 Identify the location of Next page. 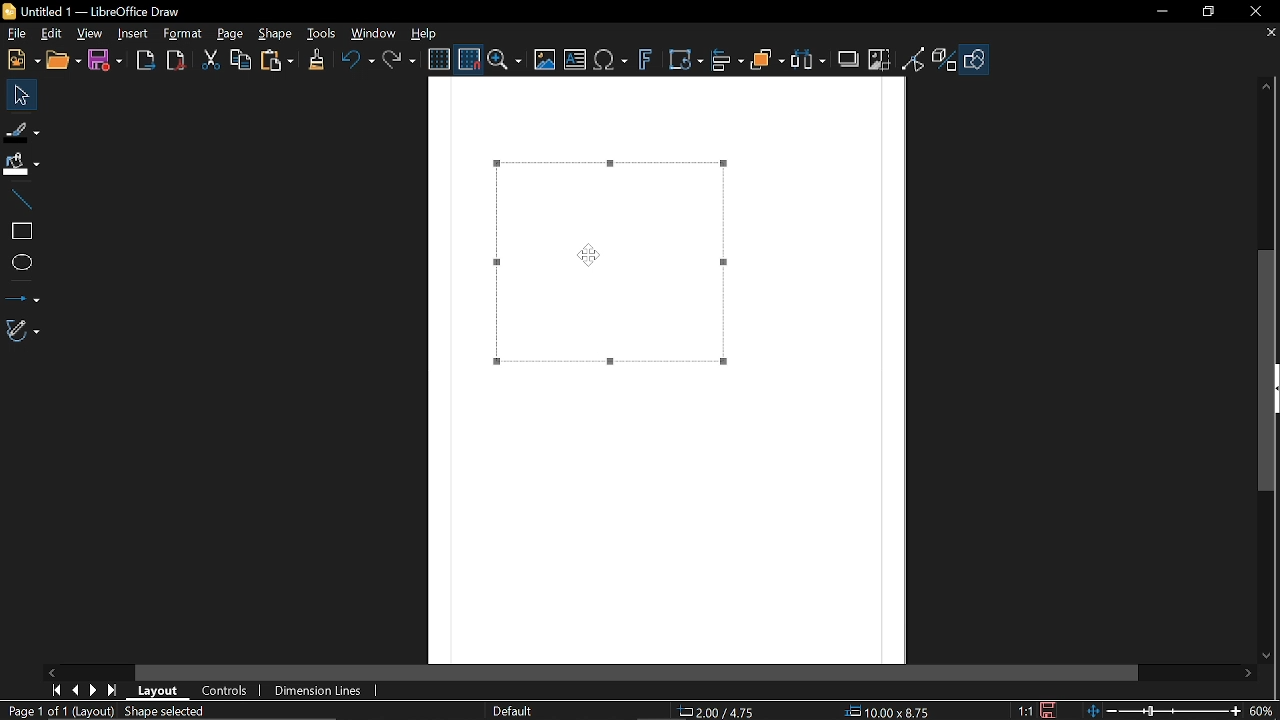
(97, 689).